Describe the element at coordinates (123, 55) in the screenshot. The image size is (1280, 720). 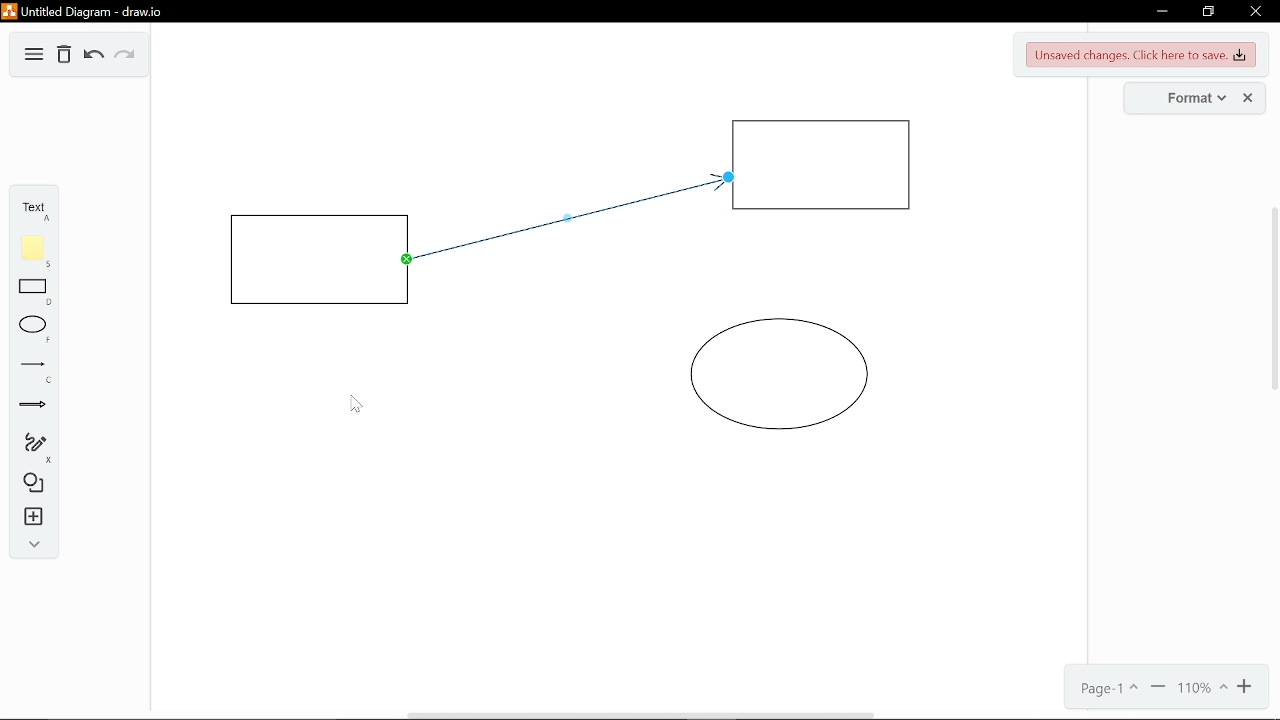
I see `Redo` at that location.